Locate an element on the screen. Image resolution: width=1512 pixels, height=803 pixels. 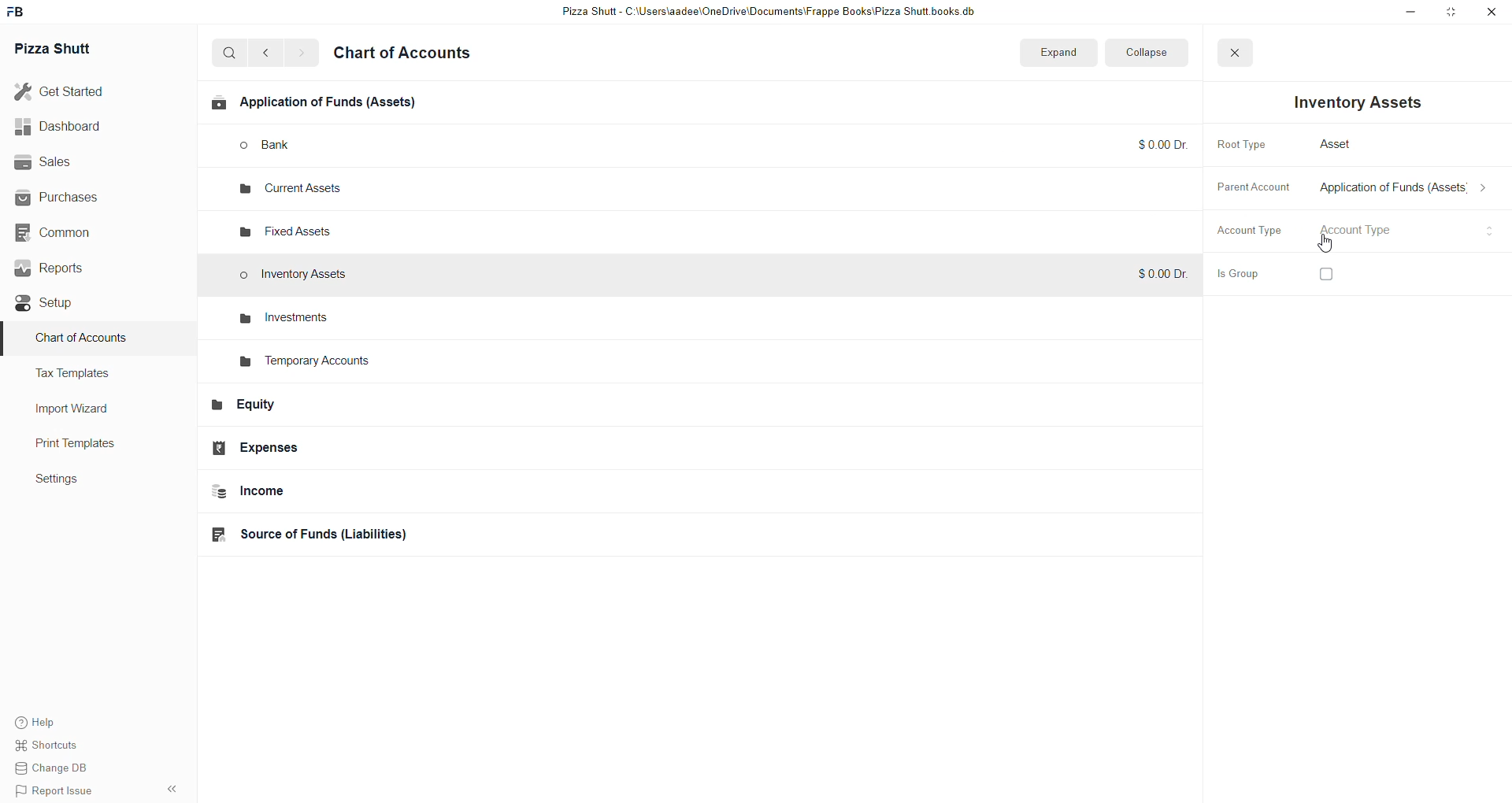
Pizza Shutt - C:\Users\aadee\OneDrive\Documents|\Frappe Books\Pizza Shutt books.db is located at coordinates (767, 13).